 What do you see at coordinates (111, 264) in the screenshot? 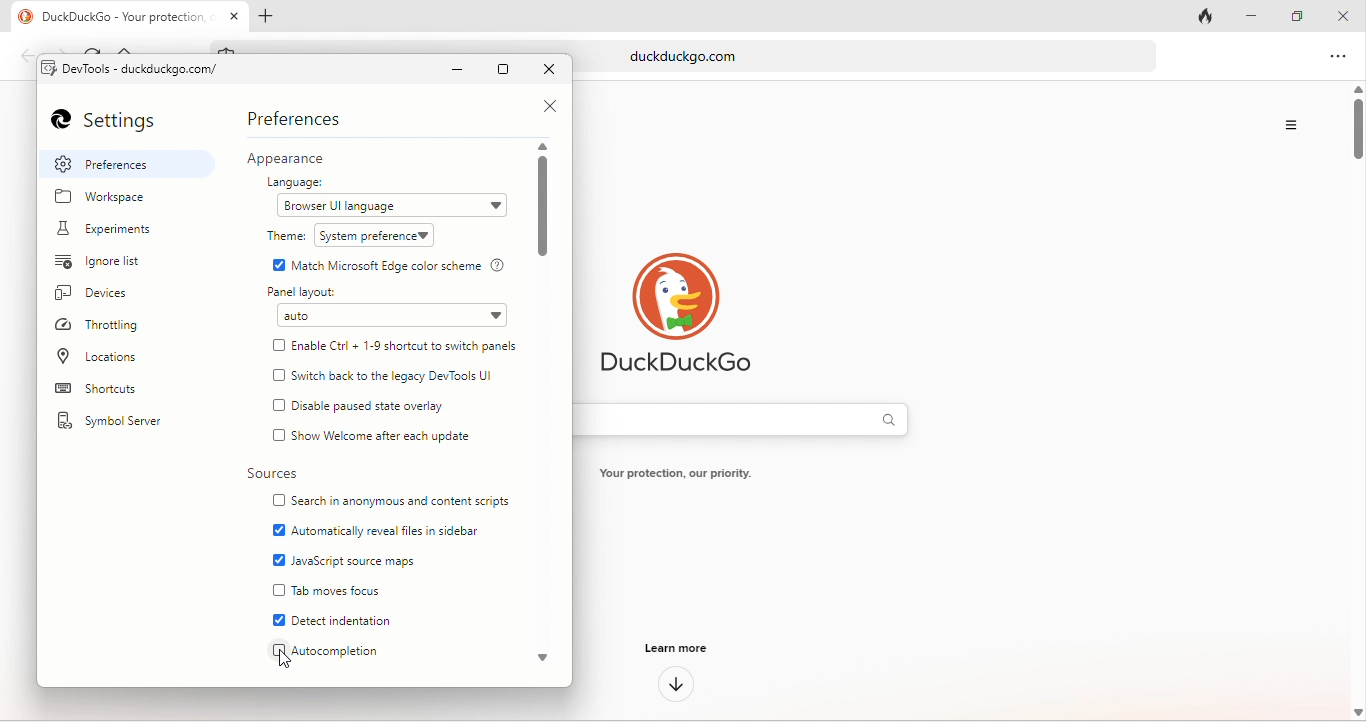
I see `ignore list` at bounding box center [111, 264].